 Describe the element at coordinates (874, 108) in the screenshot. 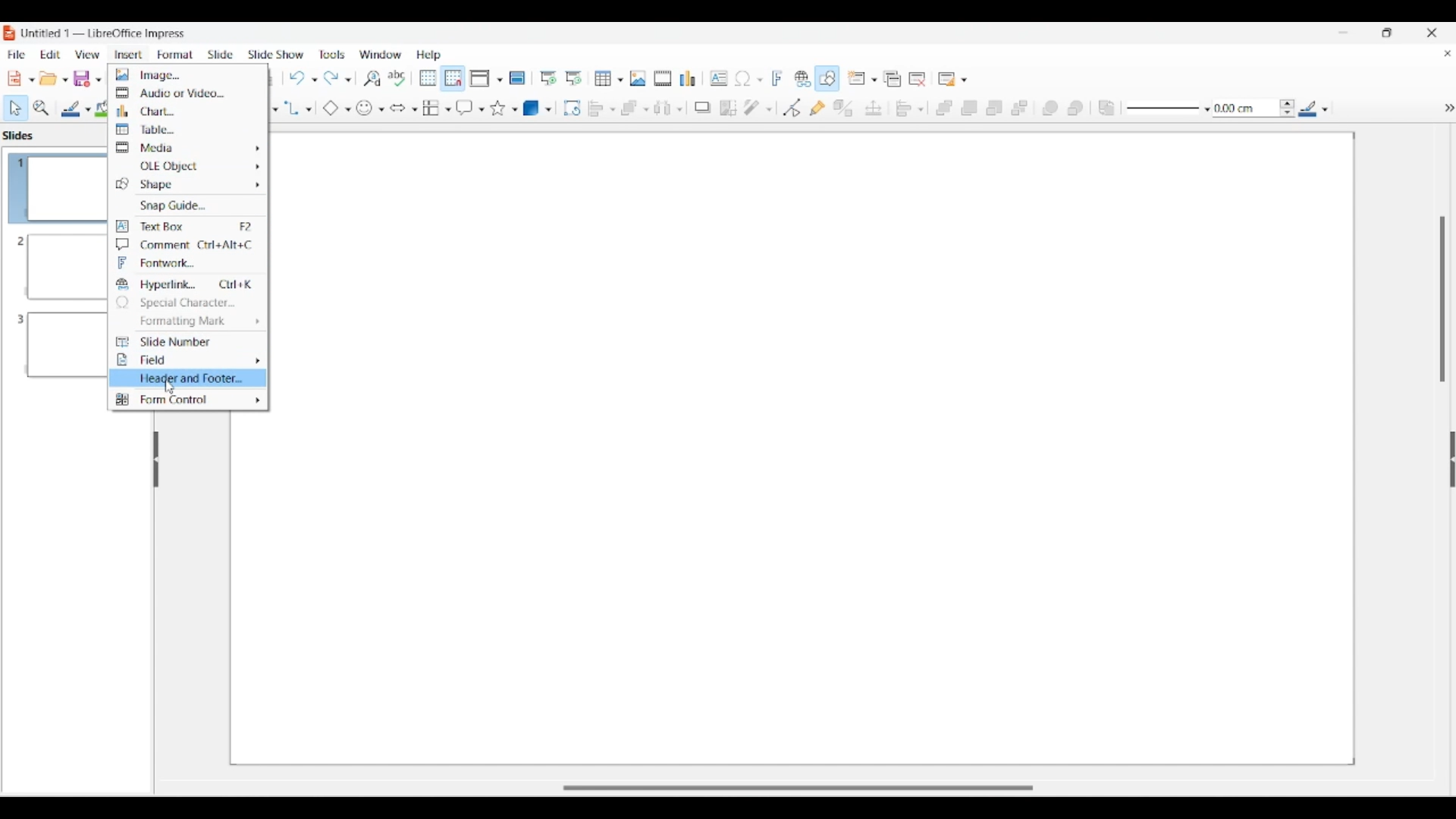

I see `Position and size` at that location.